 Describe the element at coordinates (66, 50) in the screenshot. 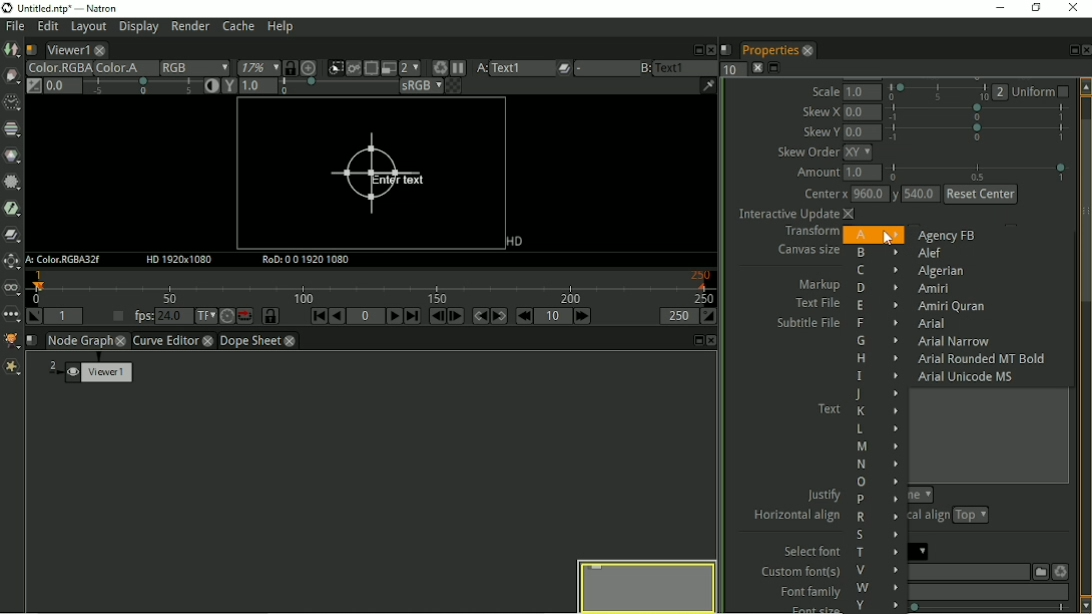

I see `Viewer1` at that location.